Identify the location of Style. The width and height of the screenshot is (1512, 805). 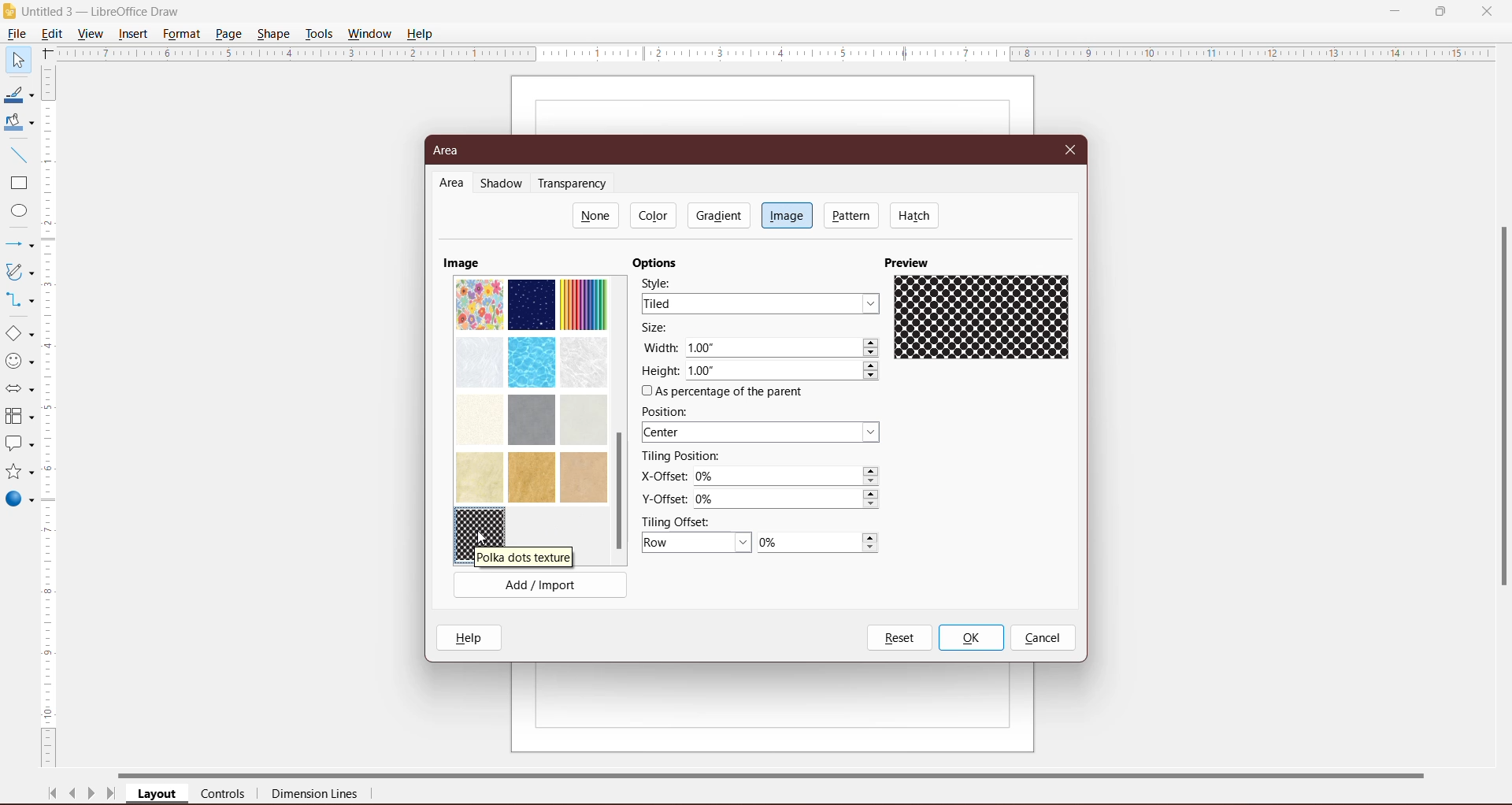
(662, 282).